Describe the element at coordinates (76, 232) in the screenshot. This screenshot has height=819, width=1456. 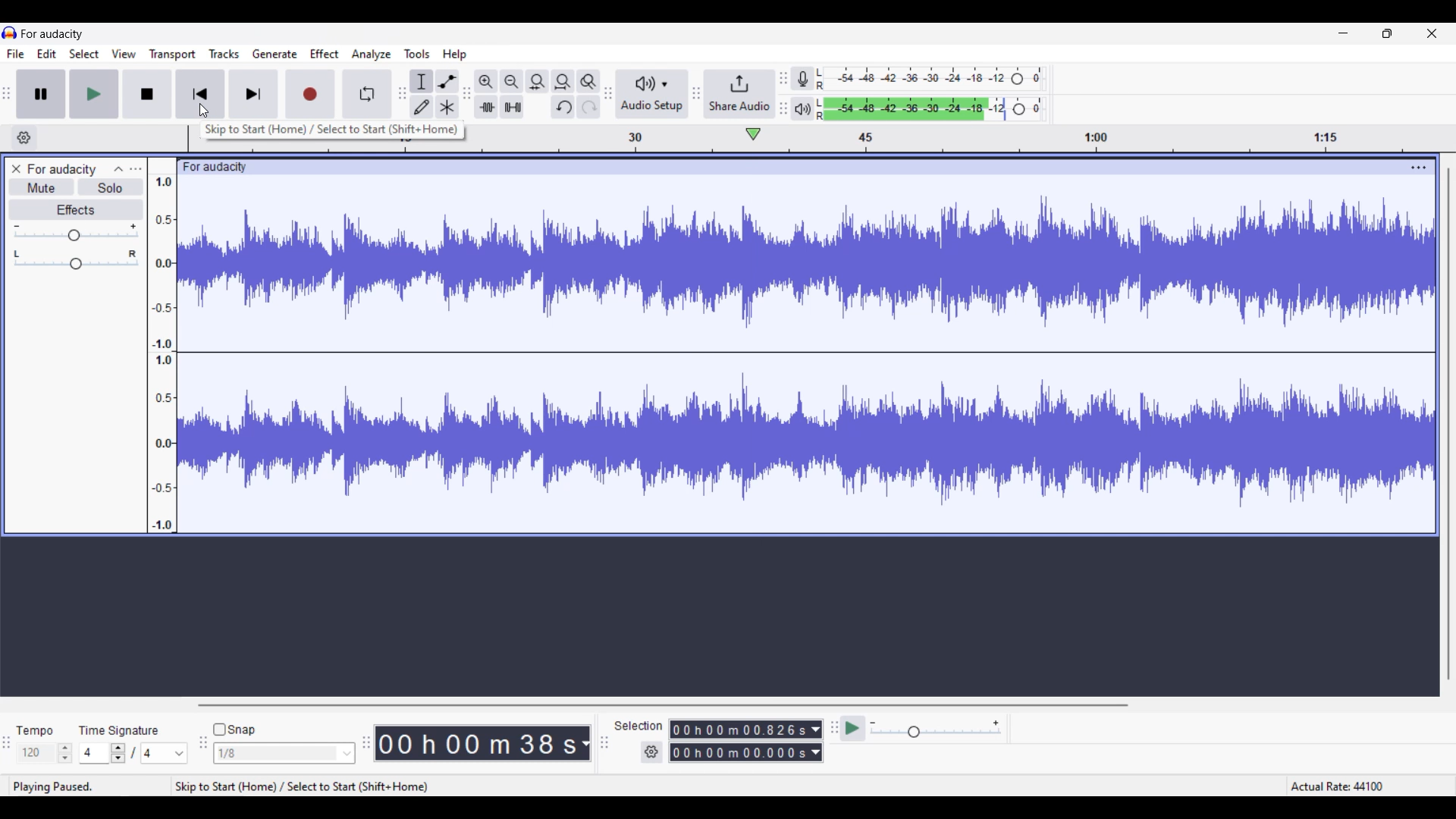
I see `Volume slider` at that location.